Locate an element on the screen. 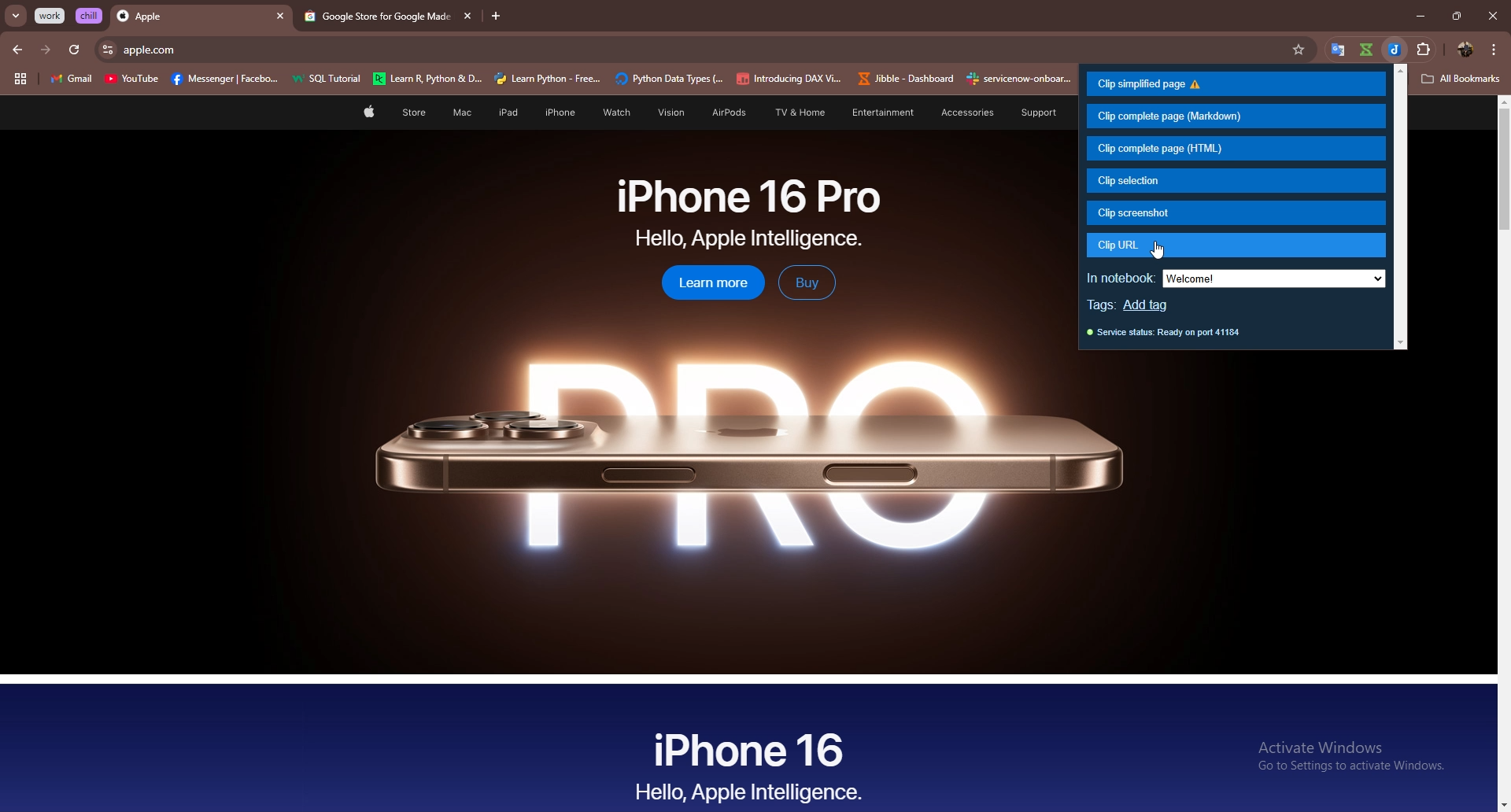 This screenshot has width=1511, height=812. extension is located at coordinates (1431, 46).